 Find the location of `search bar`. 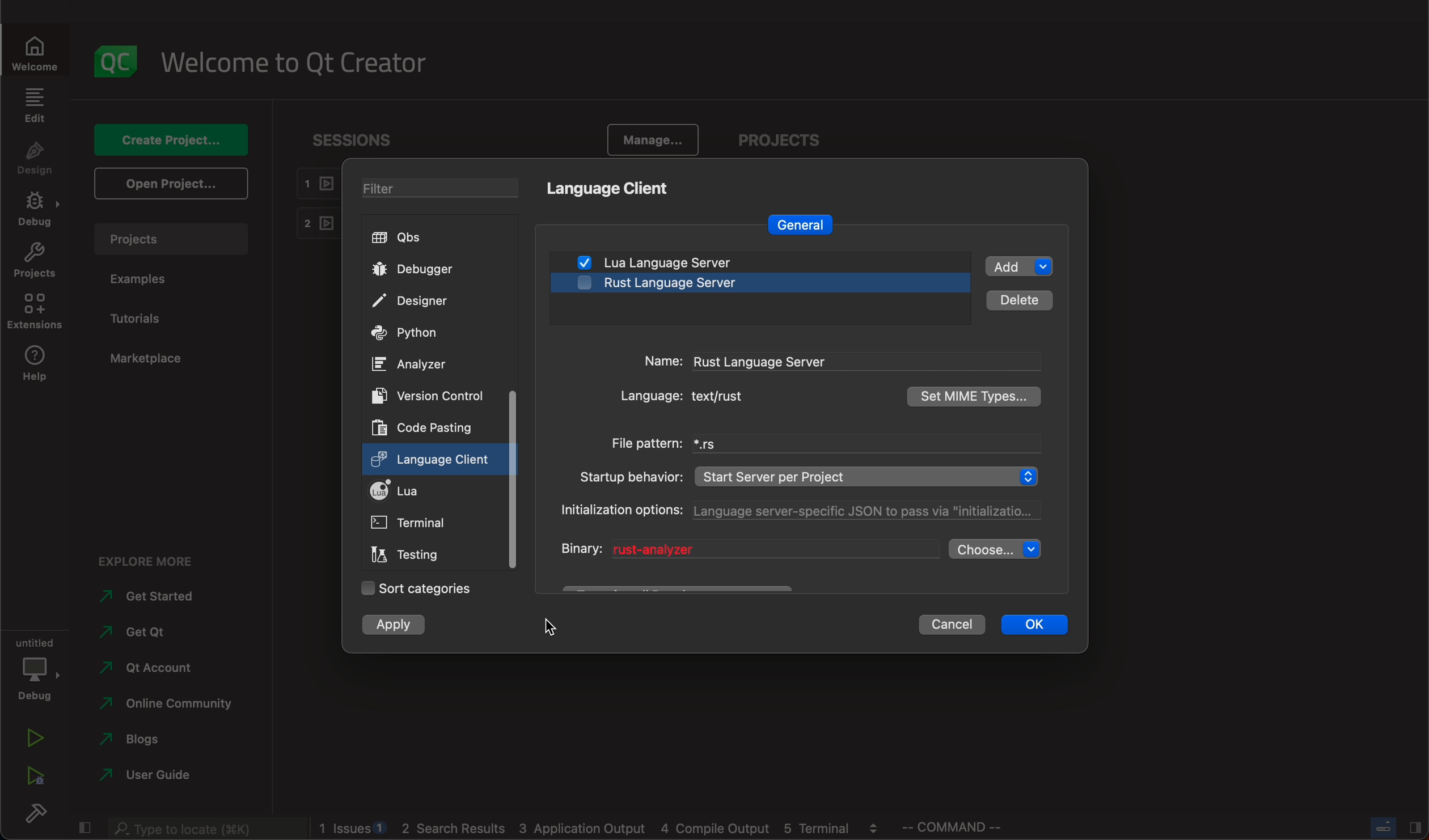

search bar is located at coordinates (202, 829).